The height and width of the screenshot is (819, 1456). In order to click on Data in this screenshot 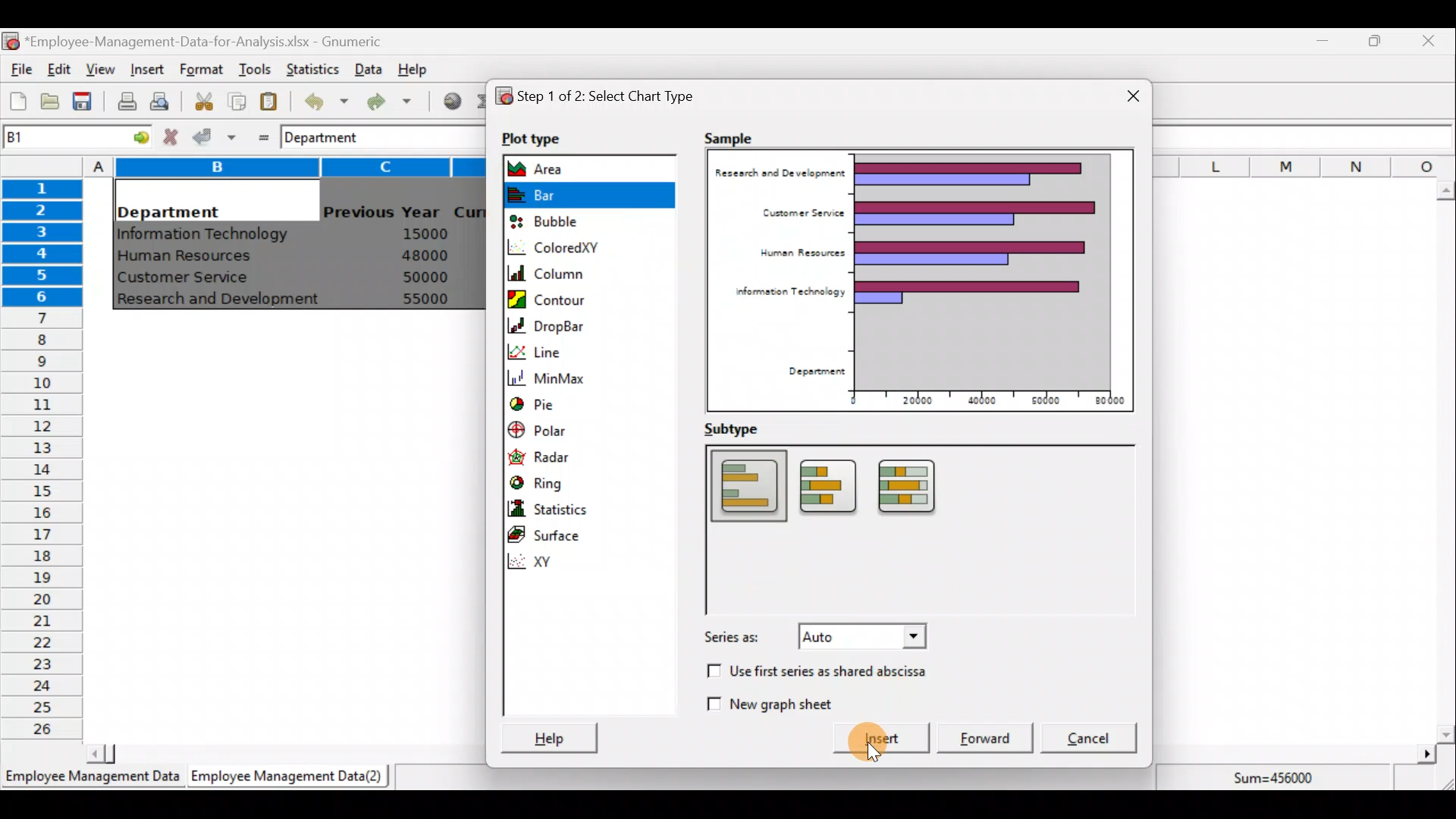, I will do `click(369, 69)`.